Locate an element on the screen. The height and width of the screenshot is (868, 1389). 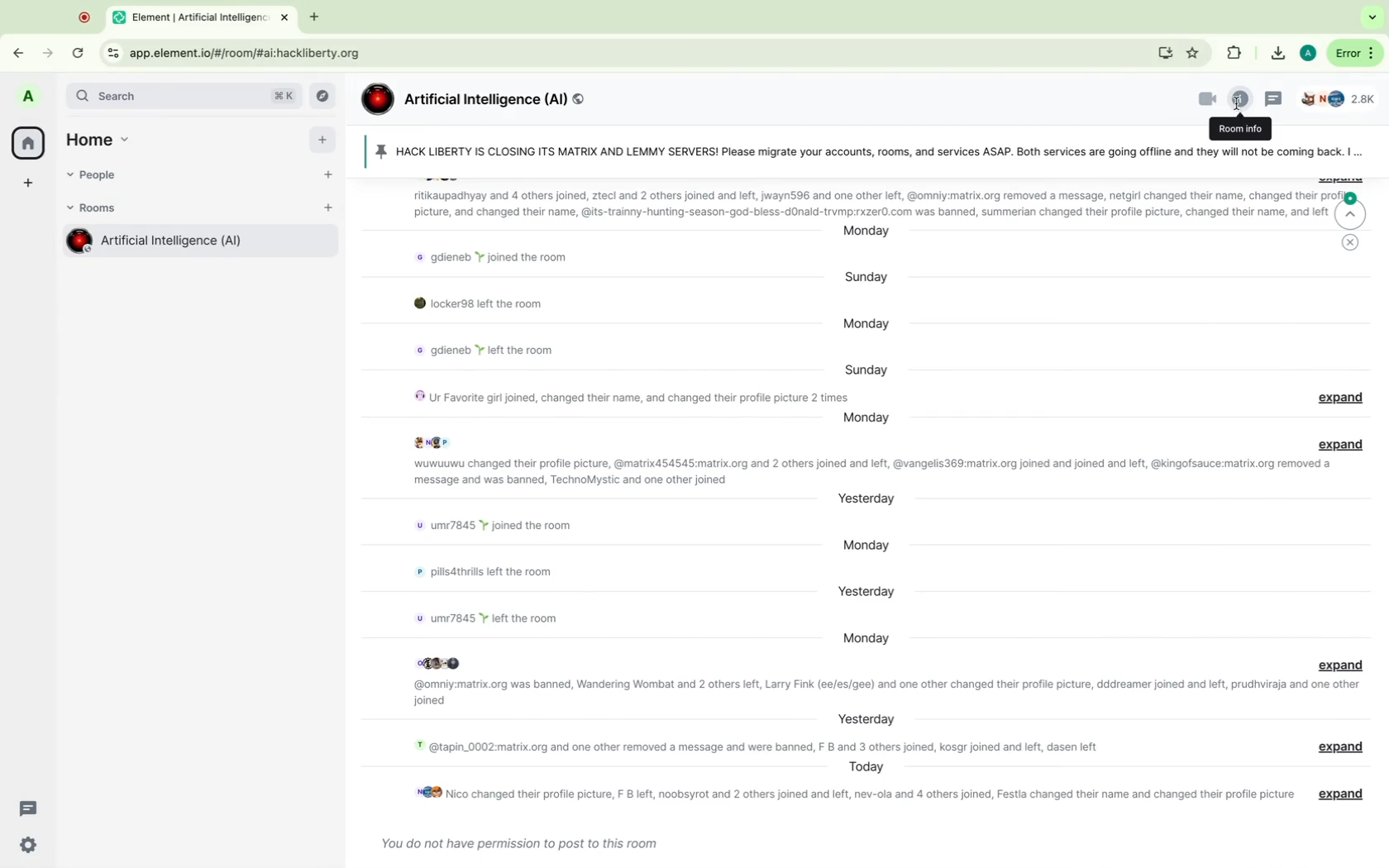
threads is located at coordinates (30, 808).